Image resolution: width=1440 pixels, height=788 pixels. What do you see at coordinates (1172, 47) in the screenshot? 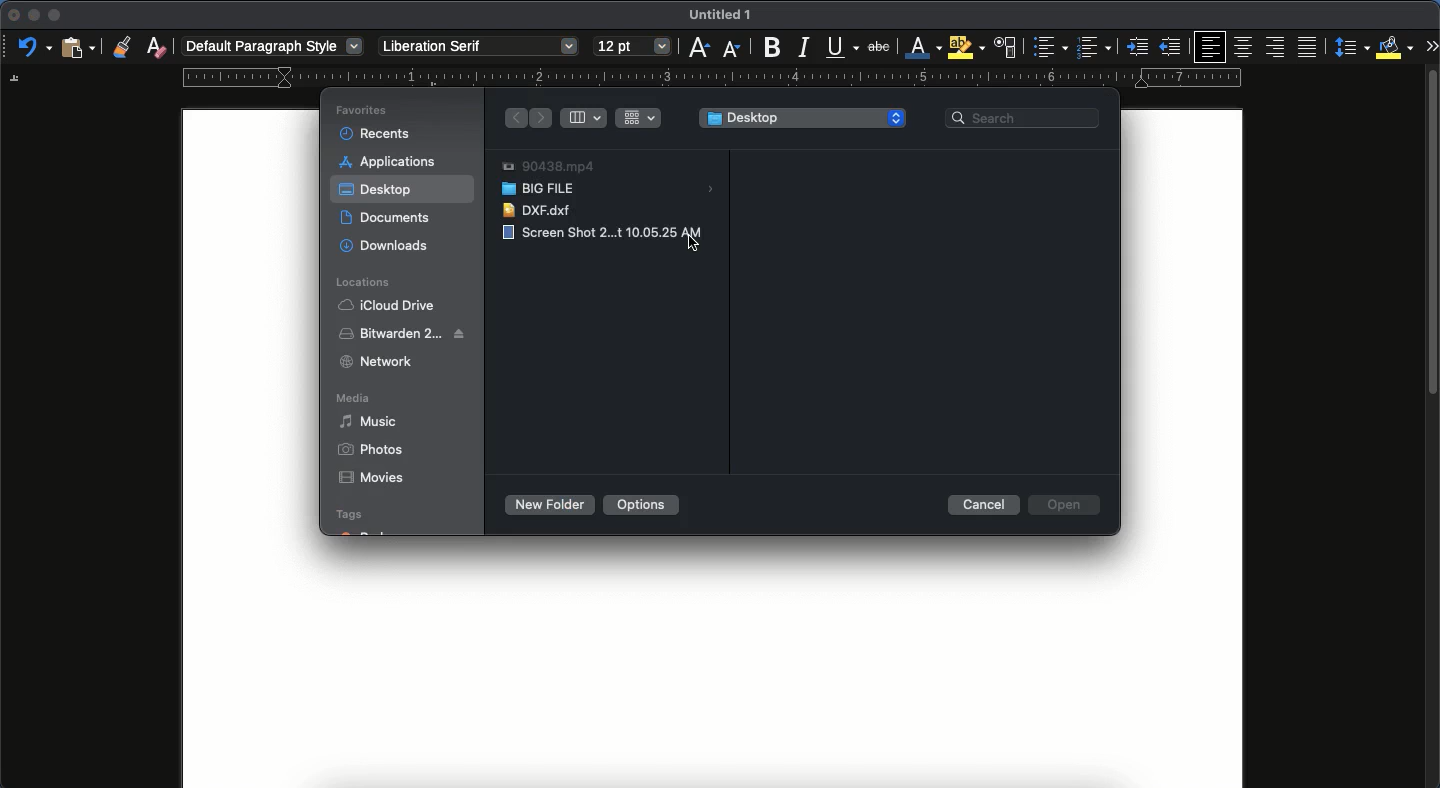
I see `unindent` at bounding box center [1172, 47].